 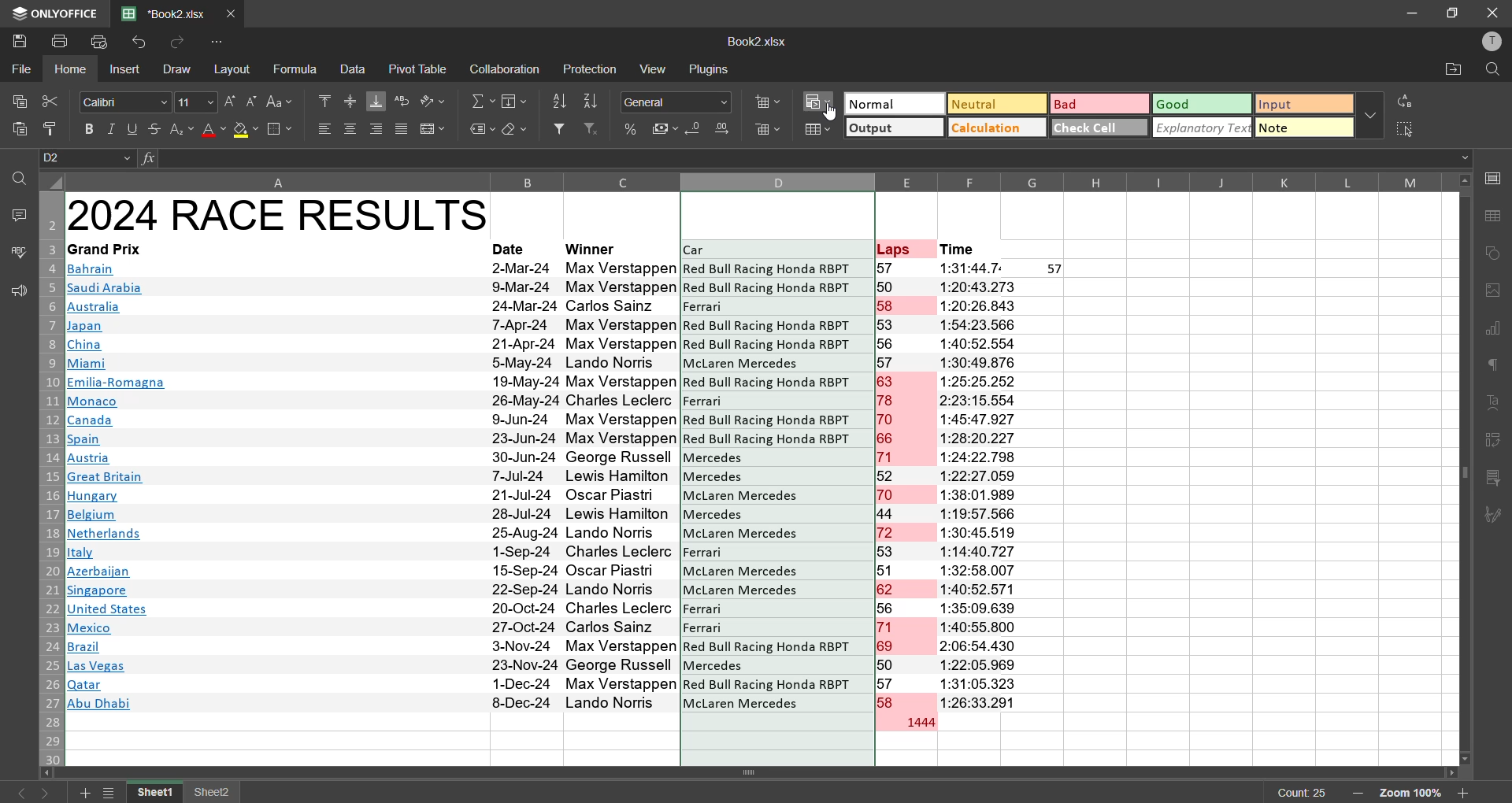 I want to click on laps, so click(x=906, y=486).